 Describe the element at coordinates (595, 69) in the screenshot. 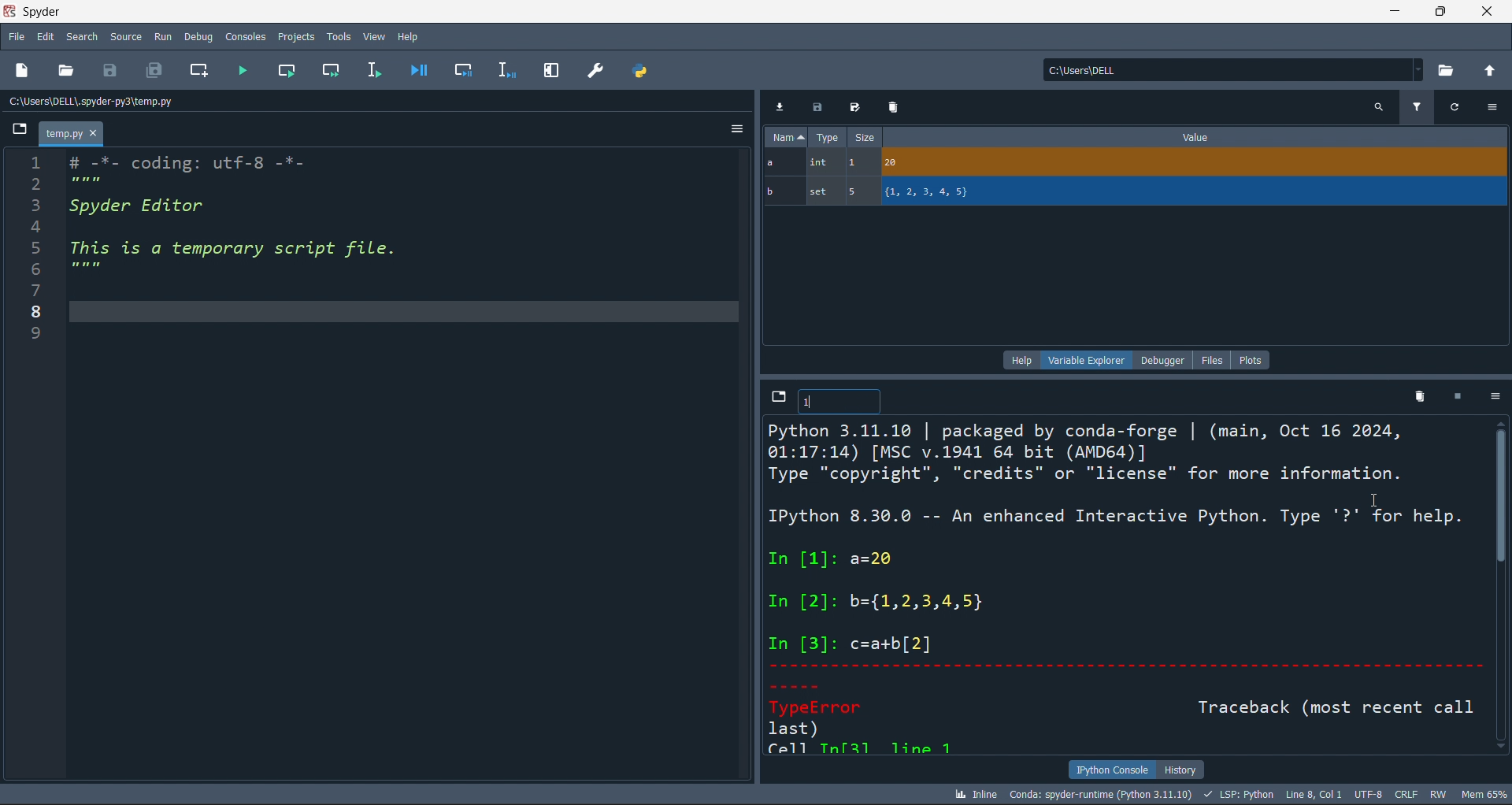

I see `preferences` at that location.